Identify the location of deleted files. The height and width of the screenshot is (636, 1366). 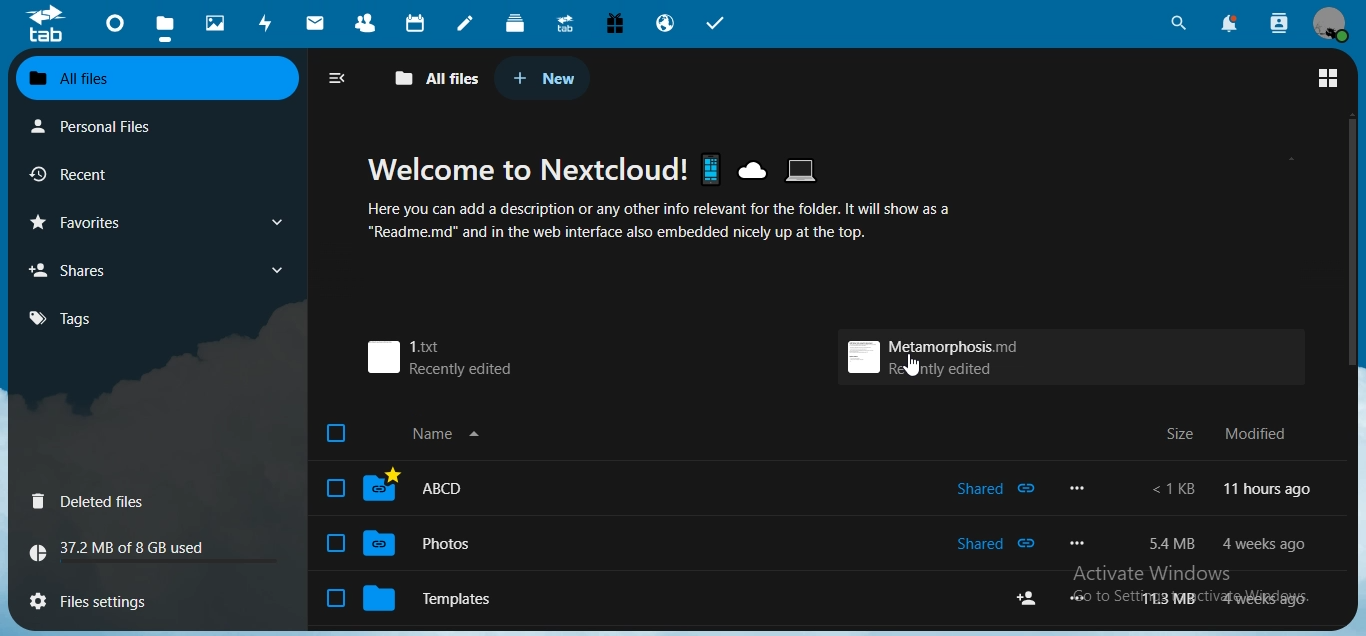
(95, 501).